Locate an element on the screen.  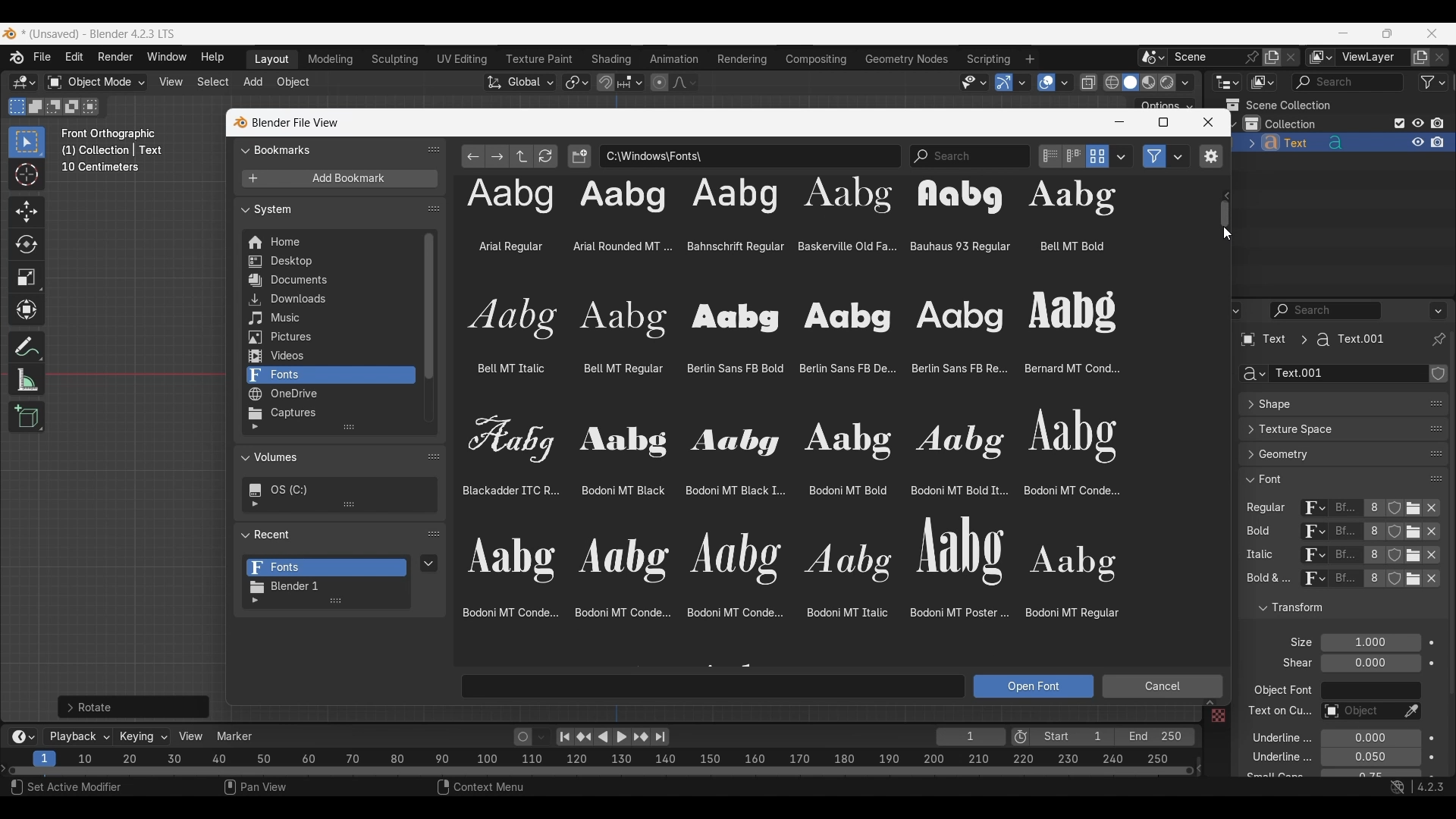
Display filter is located at coordinates (1348, 82).